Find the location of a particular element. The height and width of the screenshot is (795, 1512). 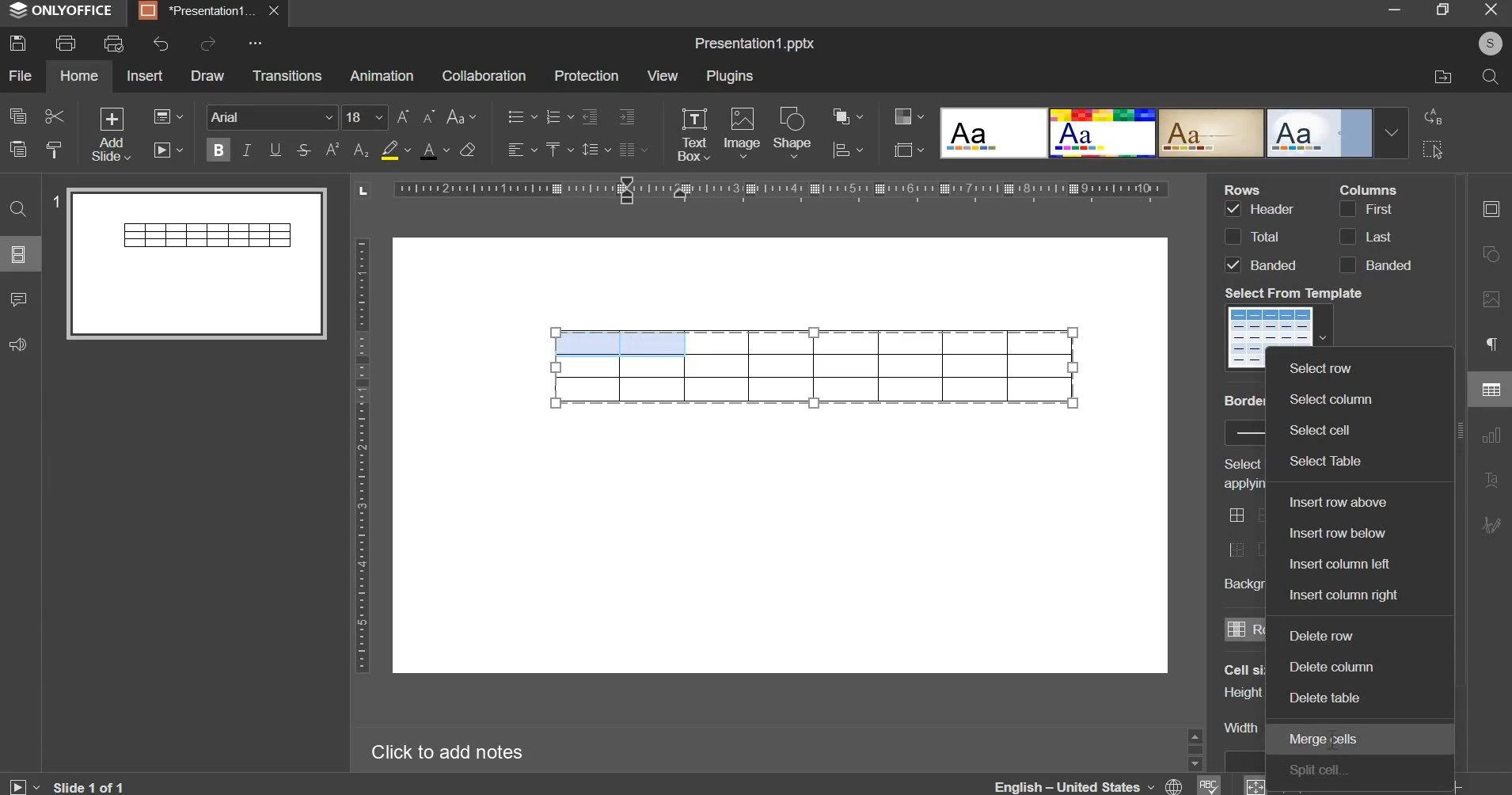

border style is located at coordinates (1246, 432).